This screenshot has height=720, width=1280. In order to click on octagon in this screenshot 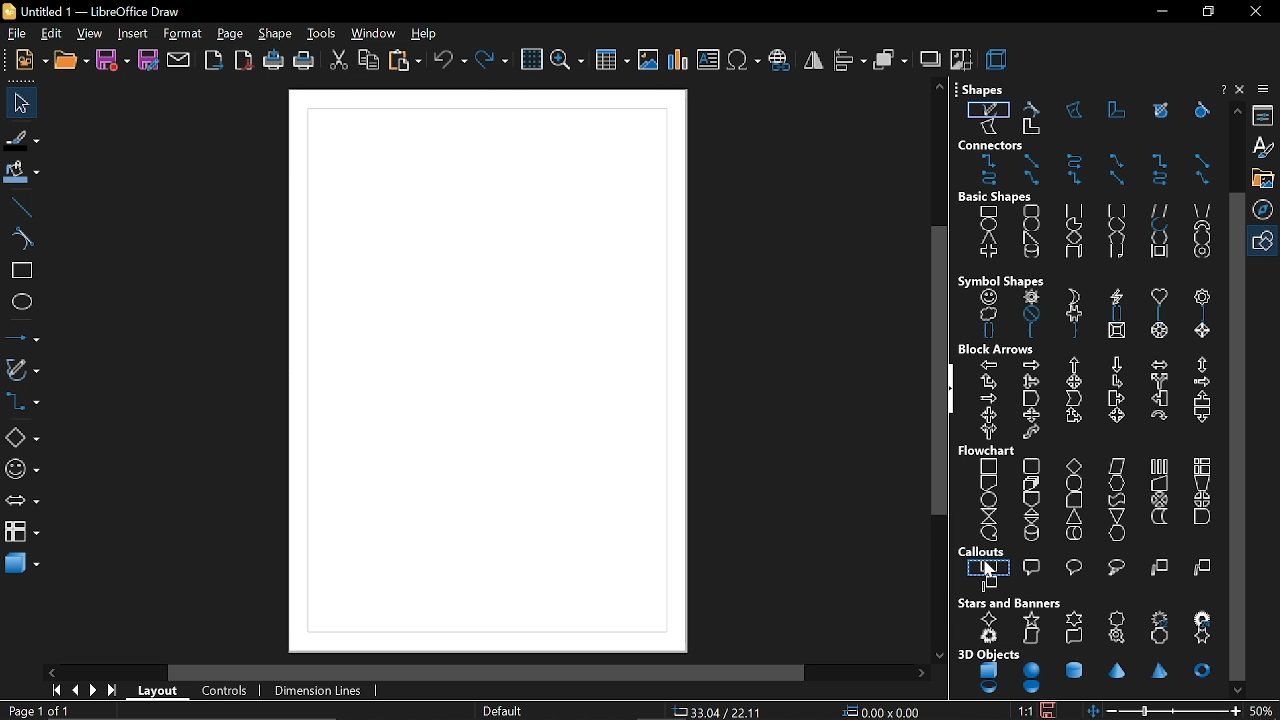, I will do `click(1199, 241)`.